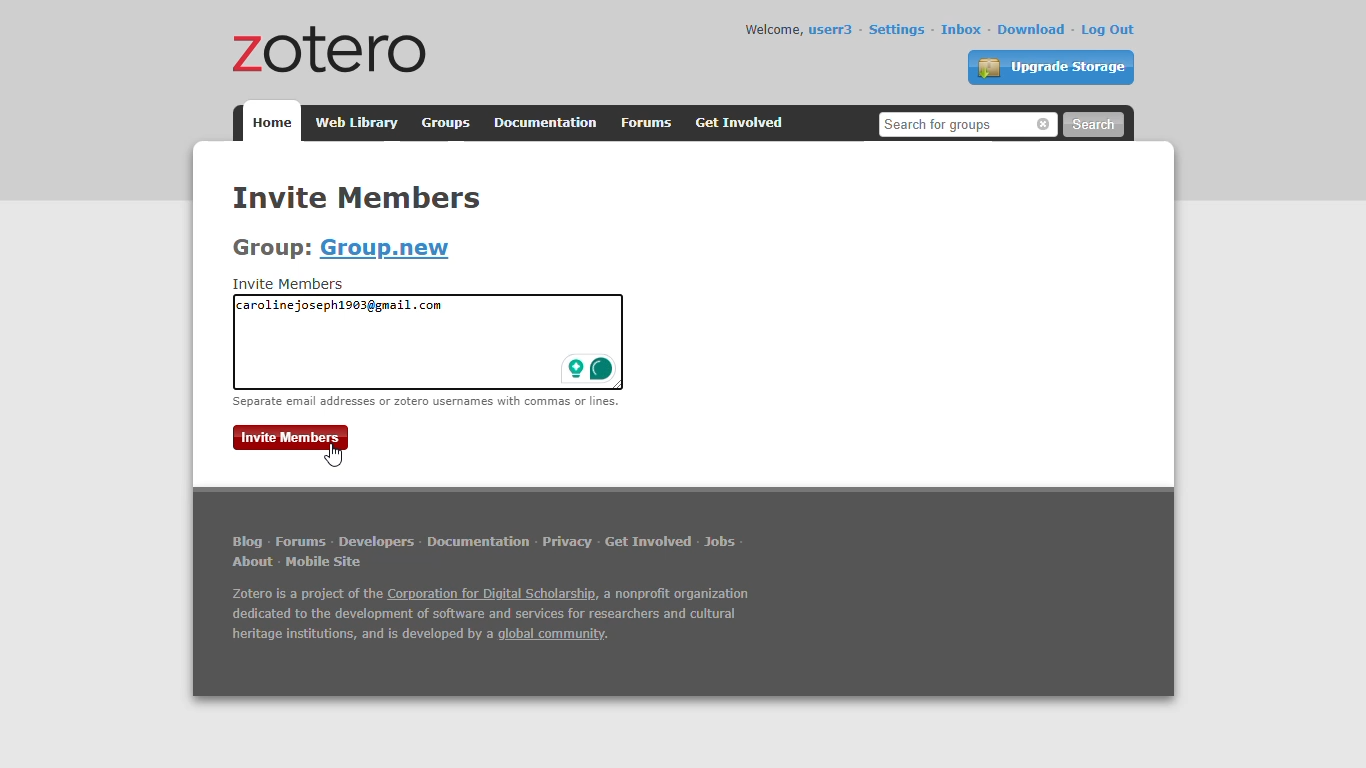  Describe the element at coordinates (1032, 29) in the screenshot. I see `download` at that location.